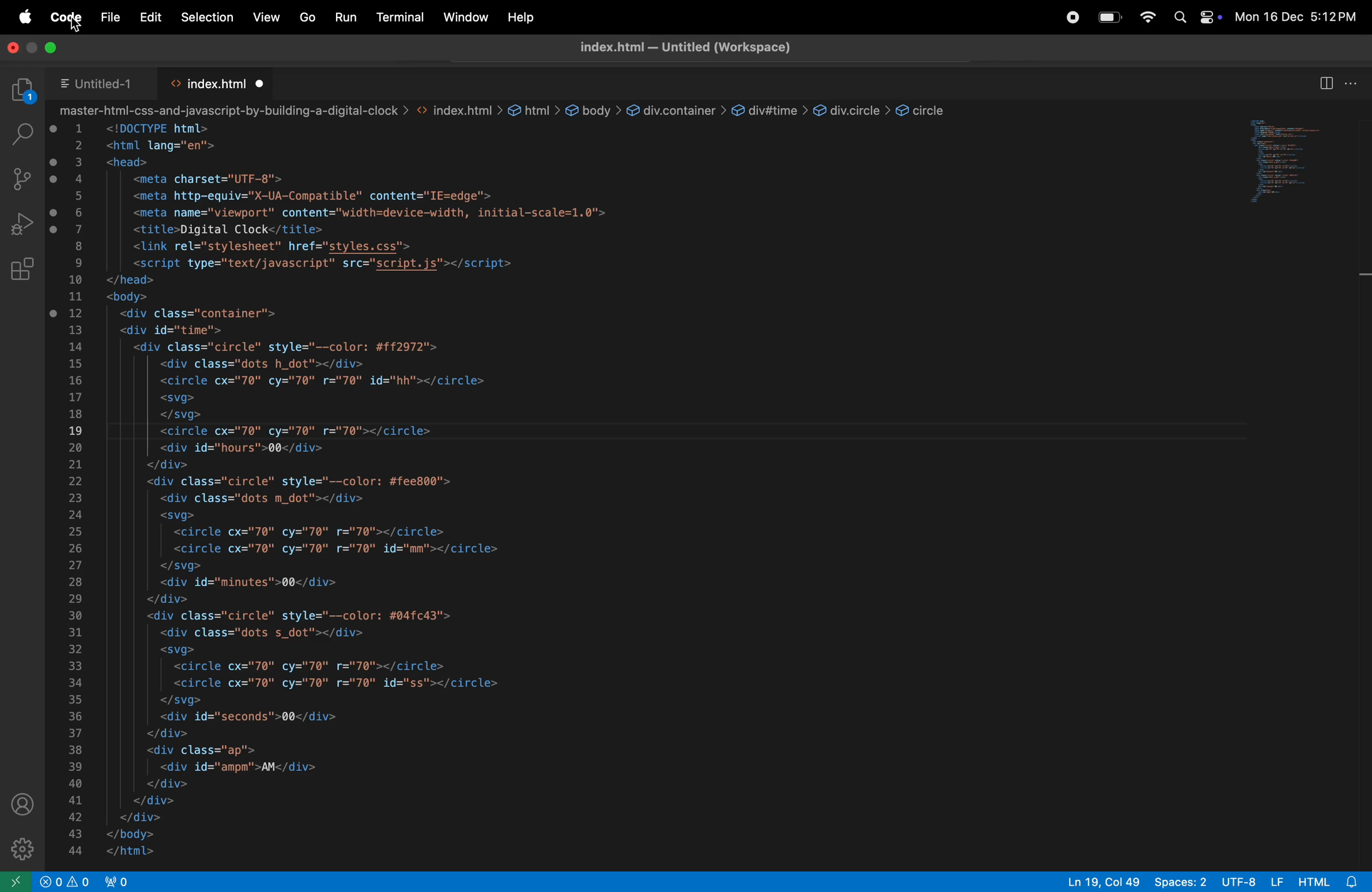 This screenshot has width=1372, height=892. Describe the element at coordinates (206, 750) in the screenshot. I see `<div class="ap">` at that location.